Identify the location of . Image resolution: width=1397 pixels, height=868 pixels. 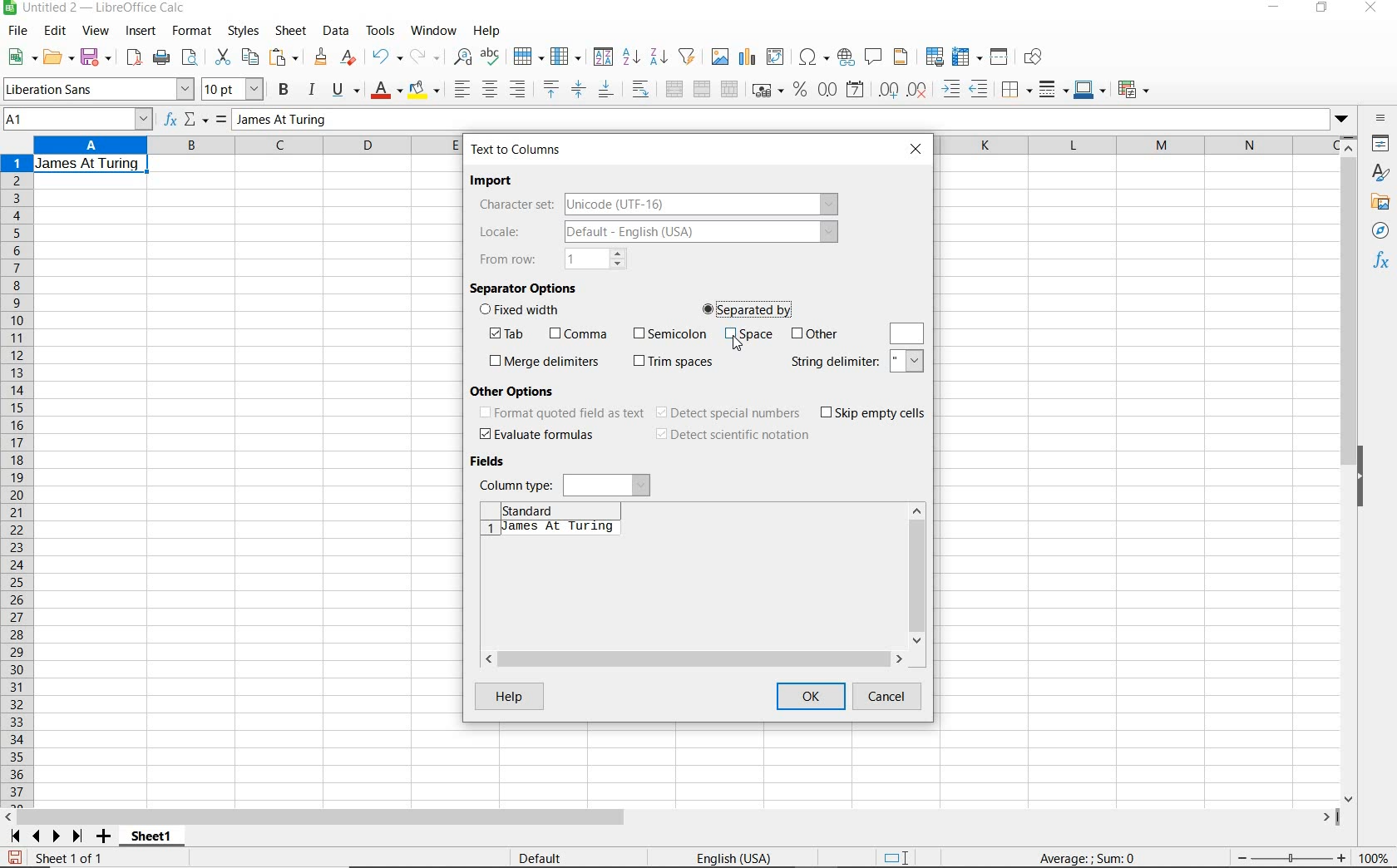
(906, 331).